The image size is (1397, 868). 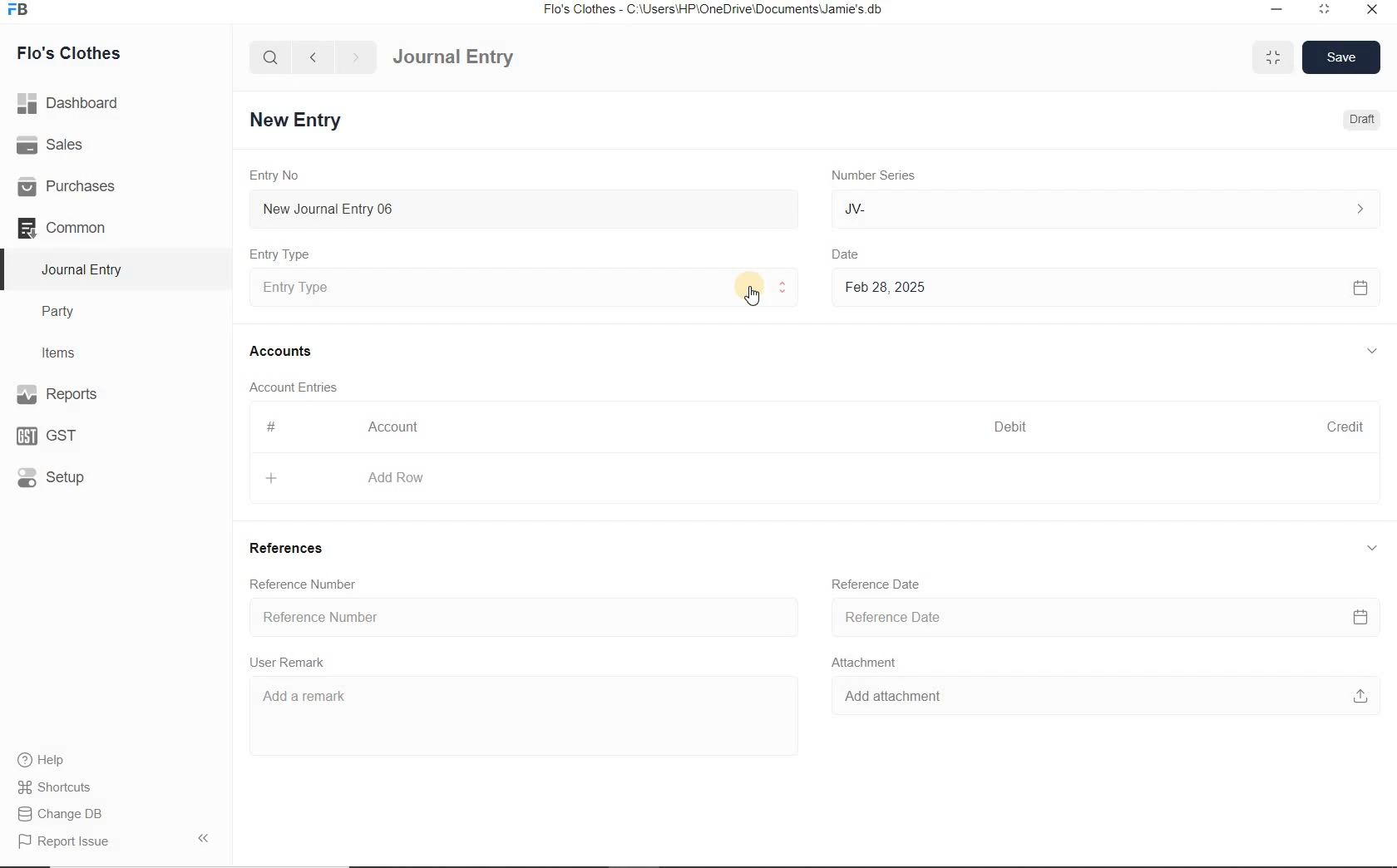 What do you see at coordinates (1102, 209) in the screenshot?
I see `JV` at bounding box center [1102, 209].